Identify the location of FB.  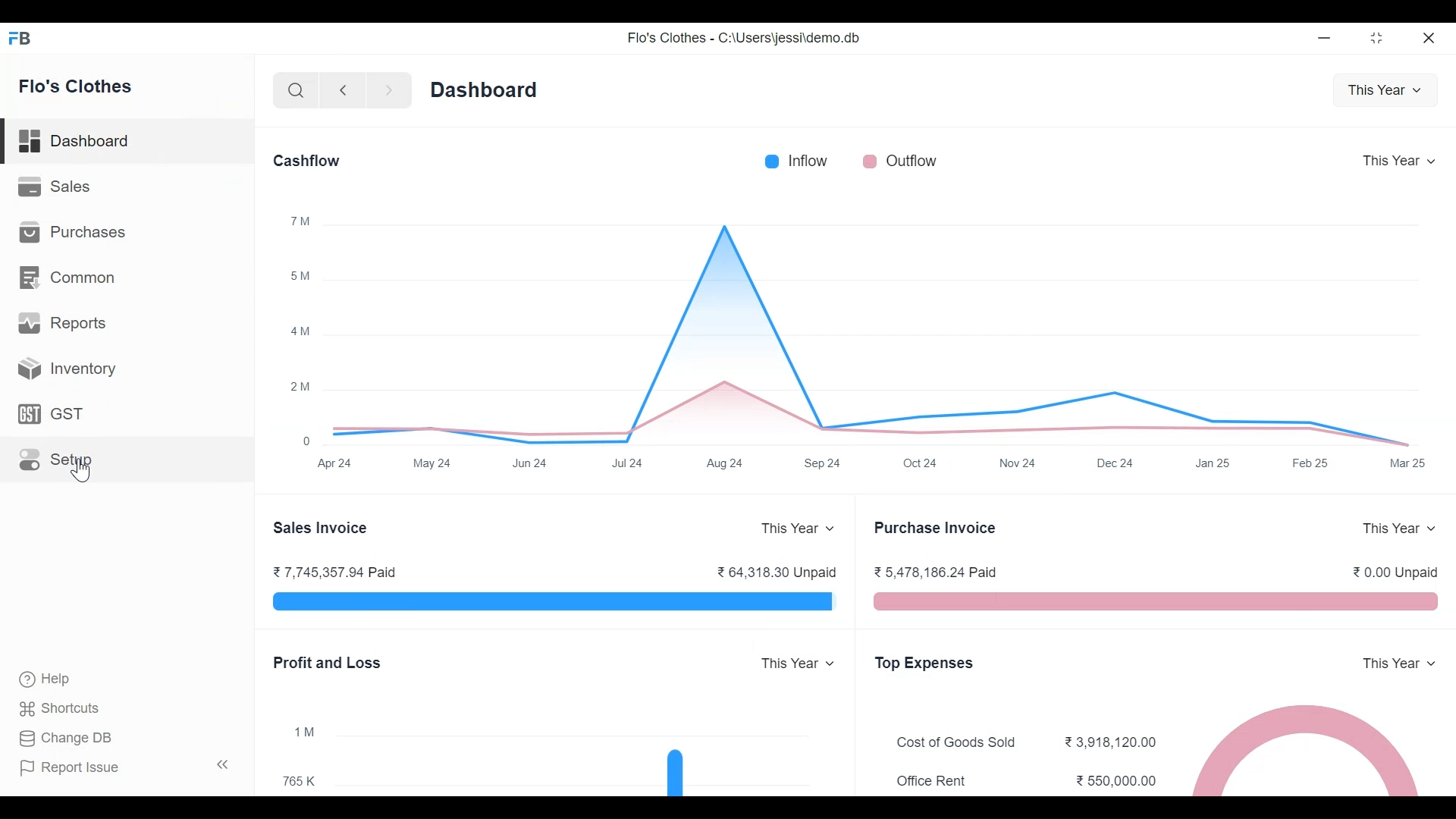
(24, 42).